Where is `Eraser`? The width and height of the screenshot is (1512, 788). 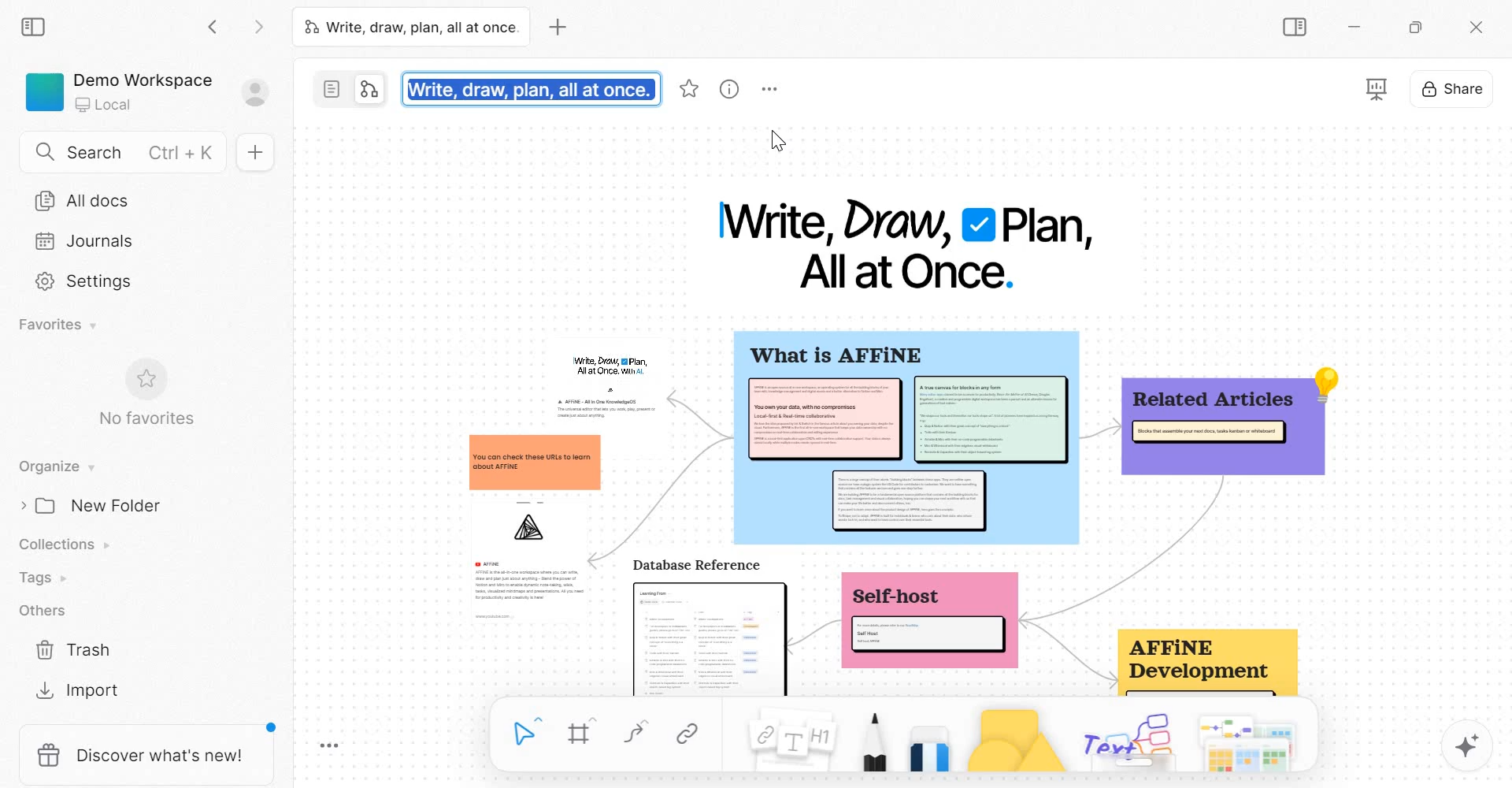
Eraser is located at coordinates (930, 744).